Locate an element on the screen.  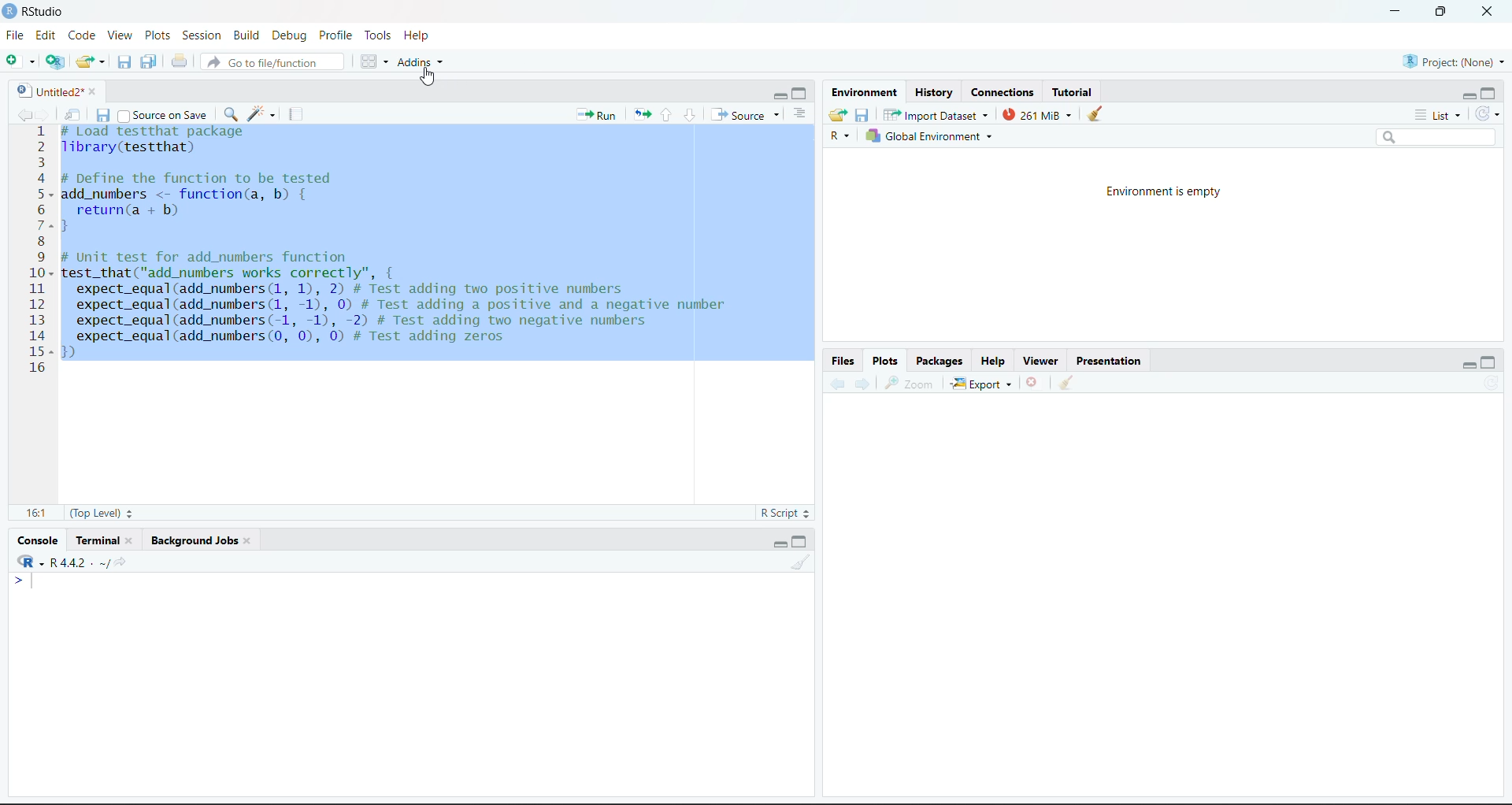
compile report is located at coordinates (297, 113).